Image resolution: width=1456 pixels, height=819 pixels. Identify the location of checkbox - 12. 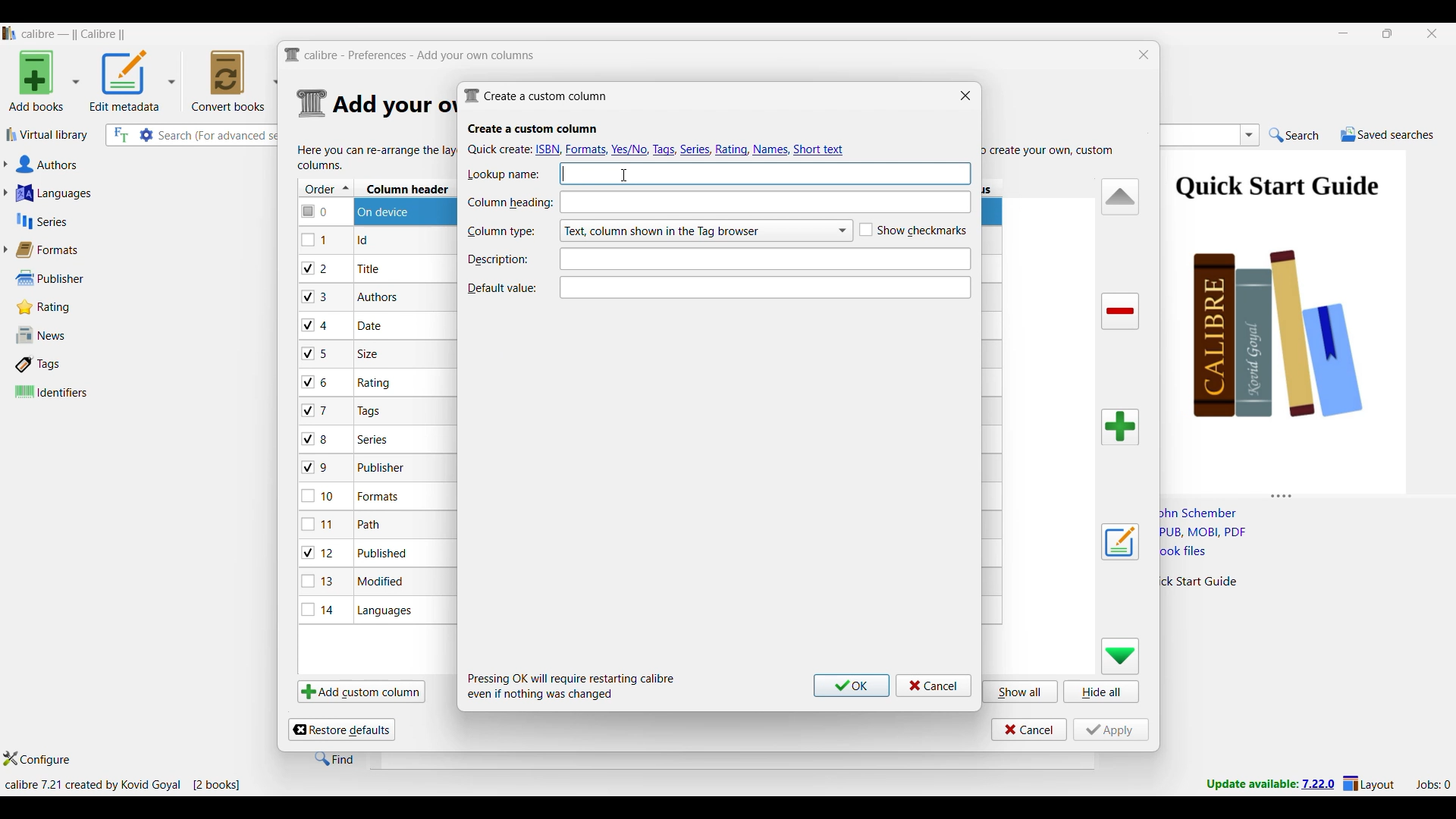
(320, 552).